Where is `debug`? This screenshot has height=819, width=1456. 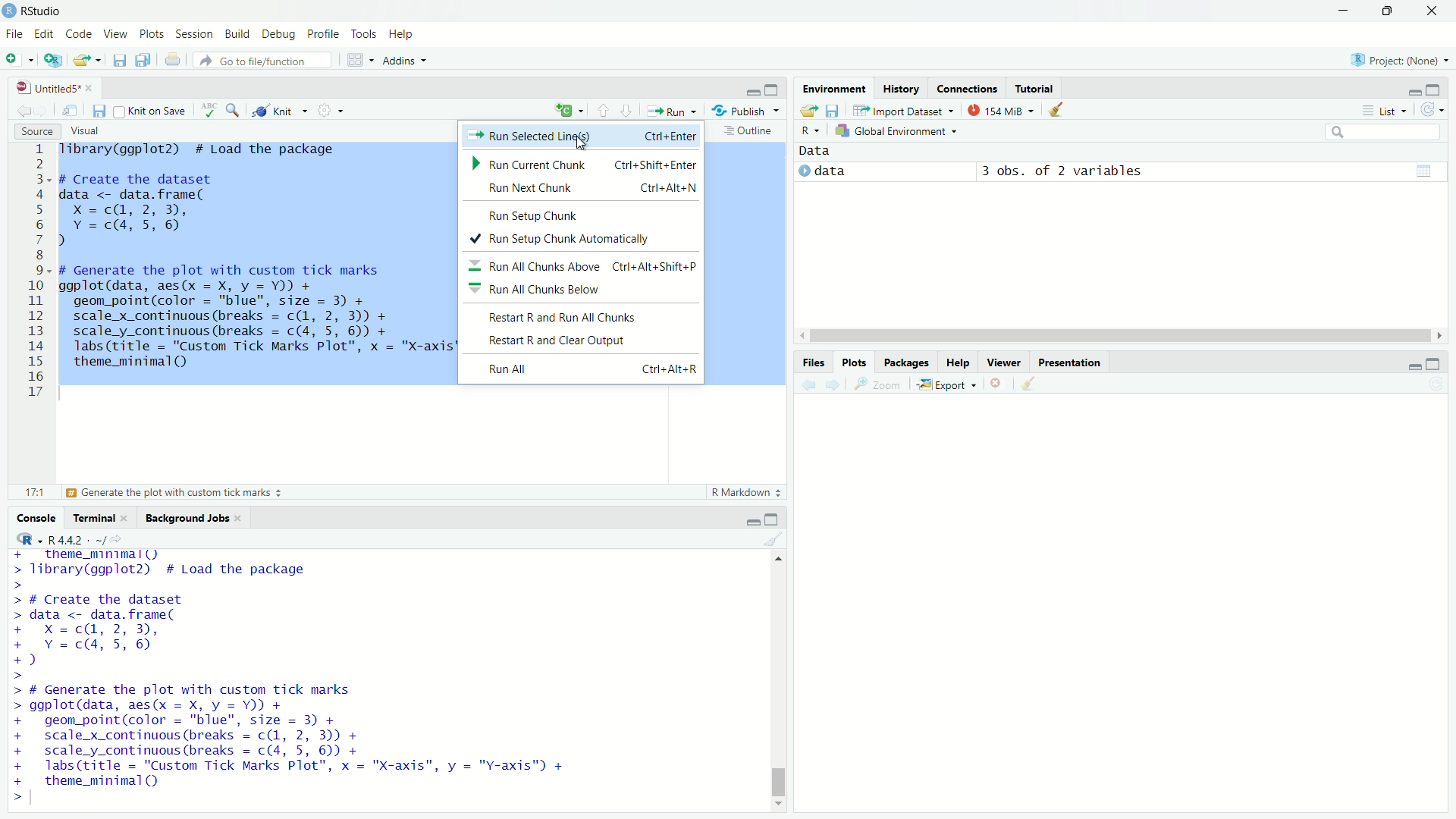
debug is located at coordinates (280, 34).